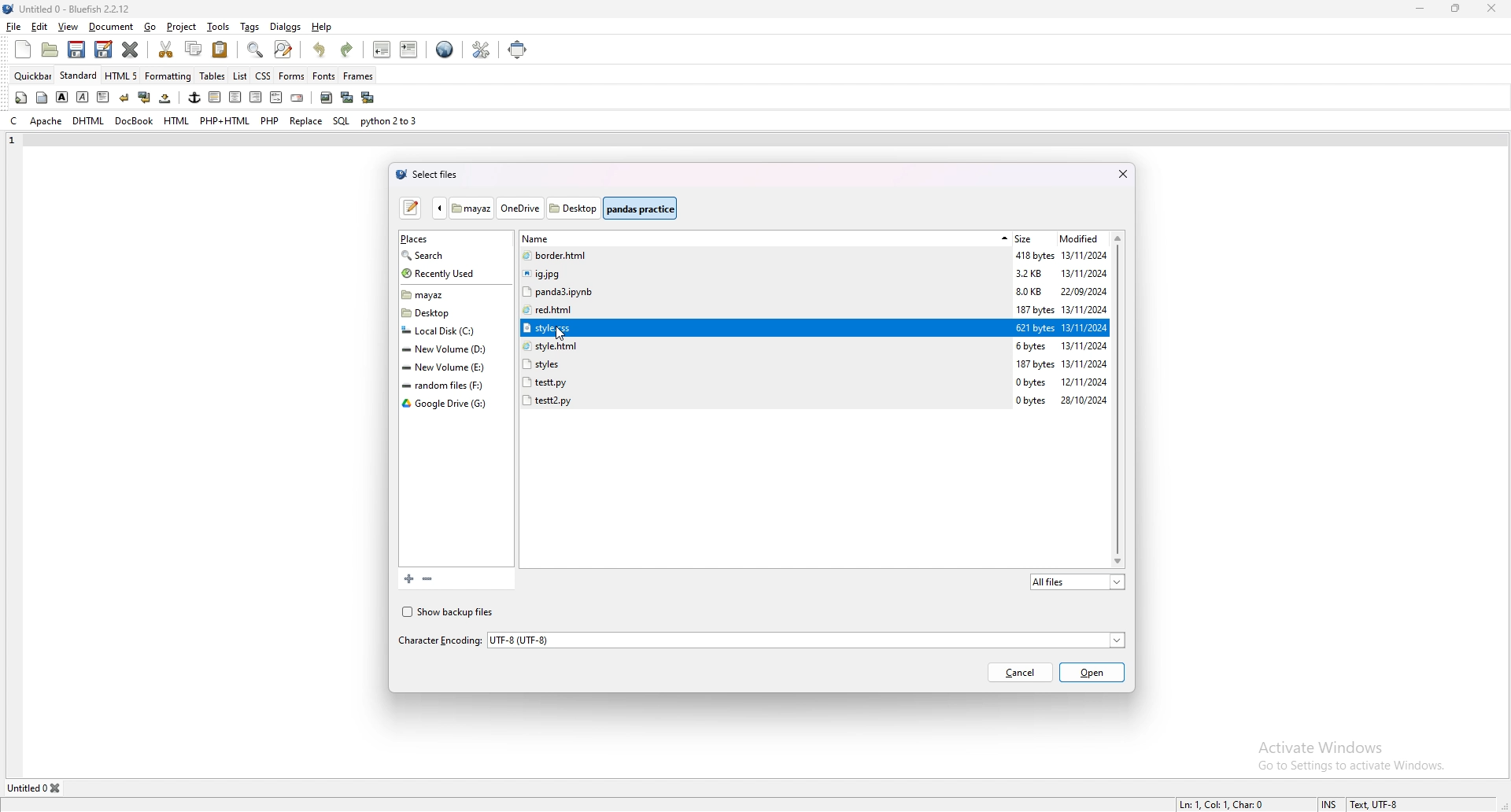 The height and width of the screenshot is (812, 1511). What do you see at coordinates (241, 76) in the screenshot?
I see `list` at bounding box center [241, 76].